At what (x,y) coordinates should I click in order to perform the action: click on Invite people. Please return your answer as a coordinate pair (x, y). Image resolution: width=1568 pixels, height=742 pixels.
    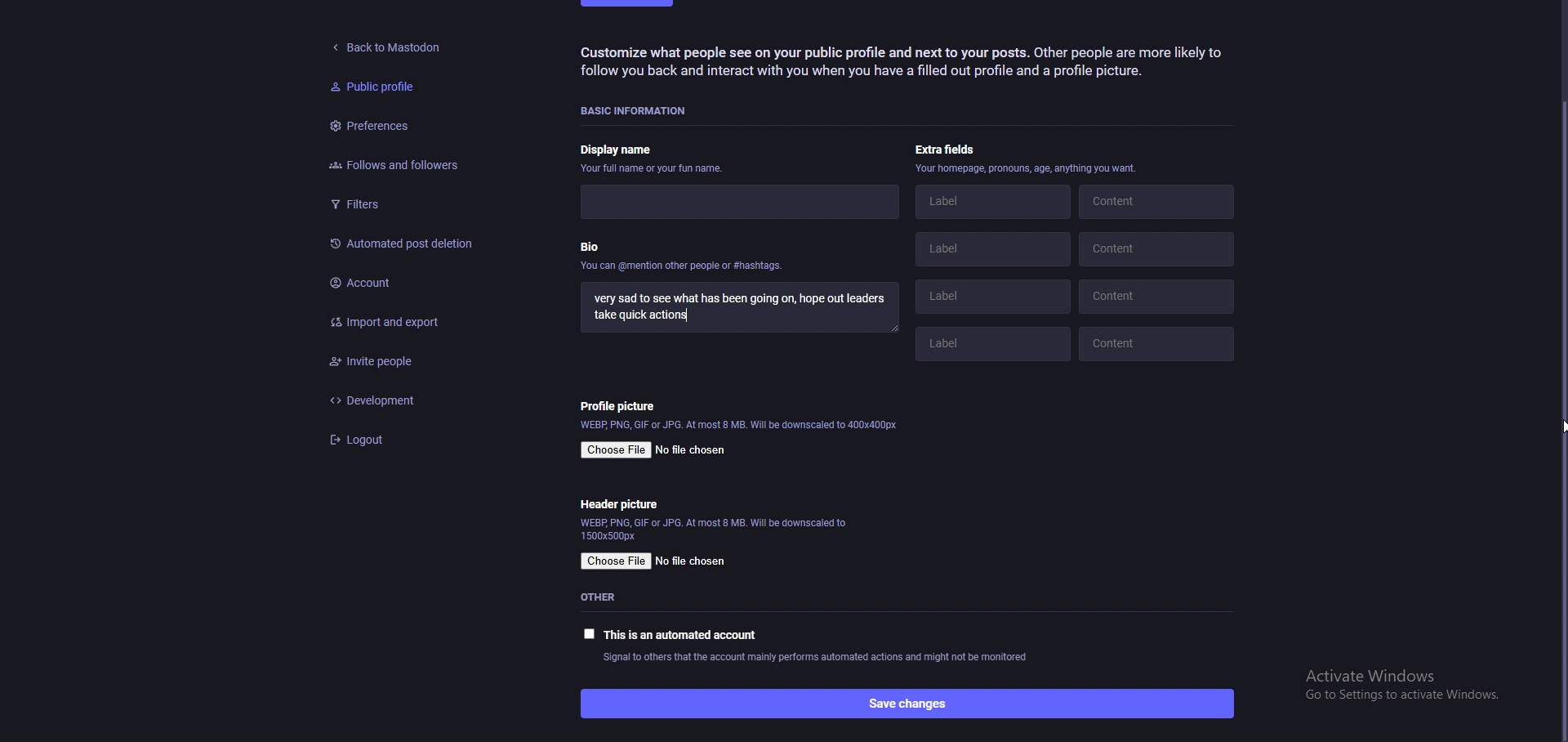
    Looking at the image, I should click on (413, 362).